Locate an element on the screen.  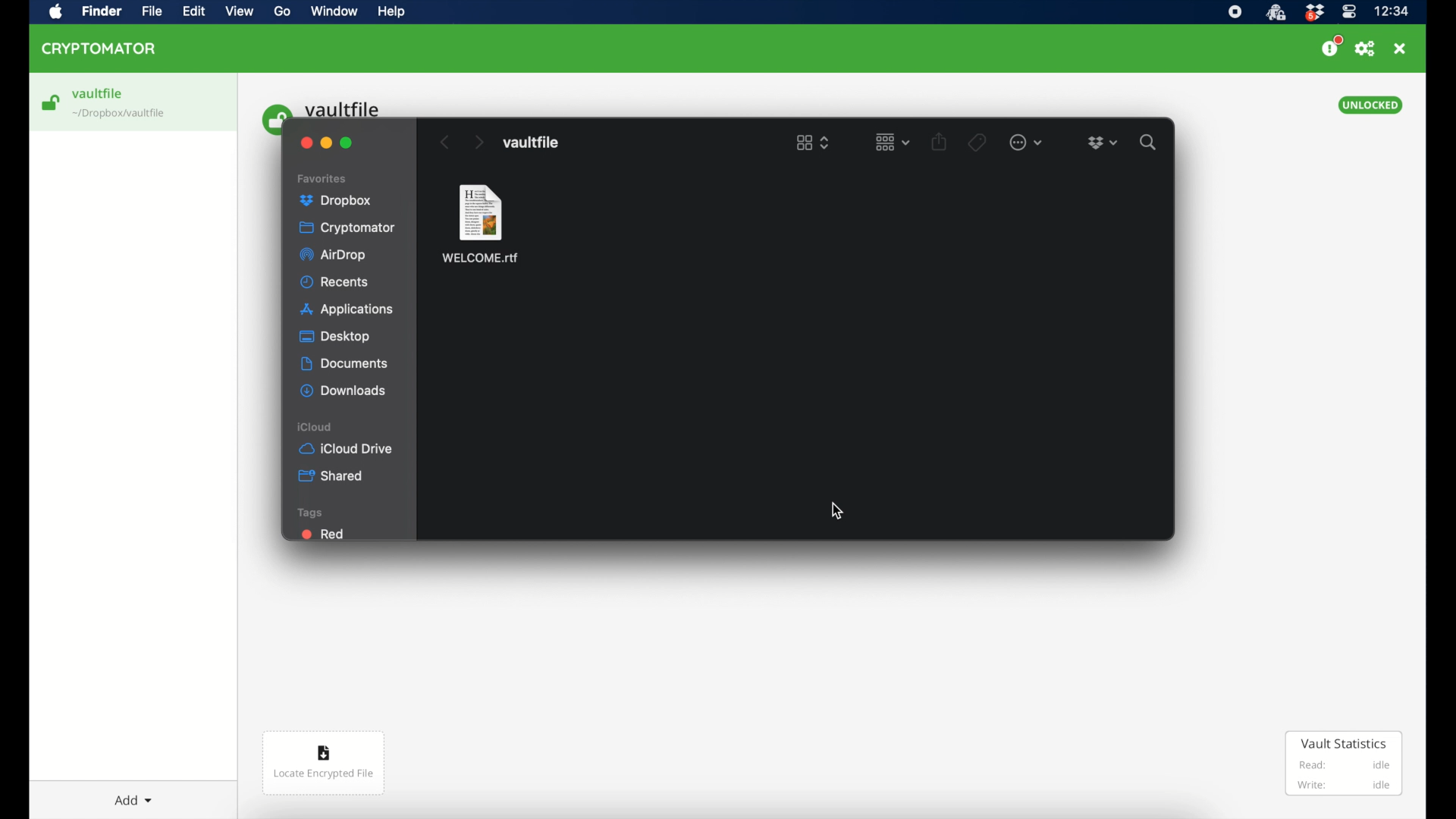
red is located at coordinates (323, 535).